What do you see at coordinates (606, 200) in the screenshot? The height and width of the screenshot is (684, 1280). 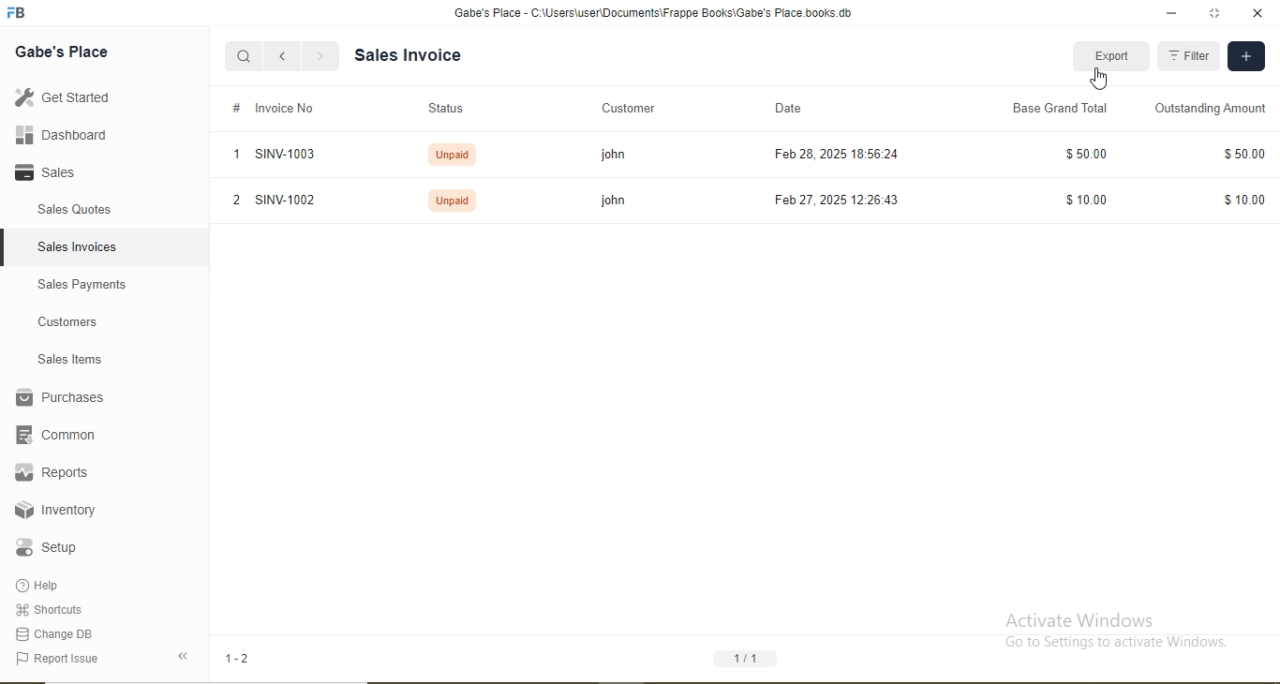 I see `john` at bounding box center [606, 200].